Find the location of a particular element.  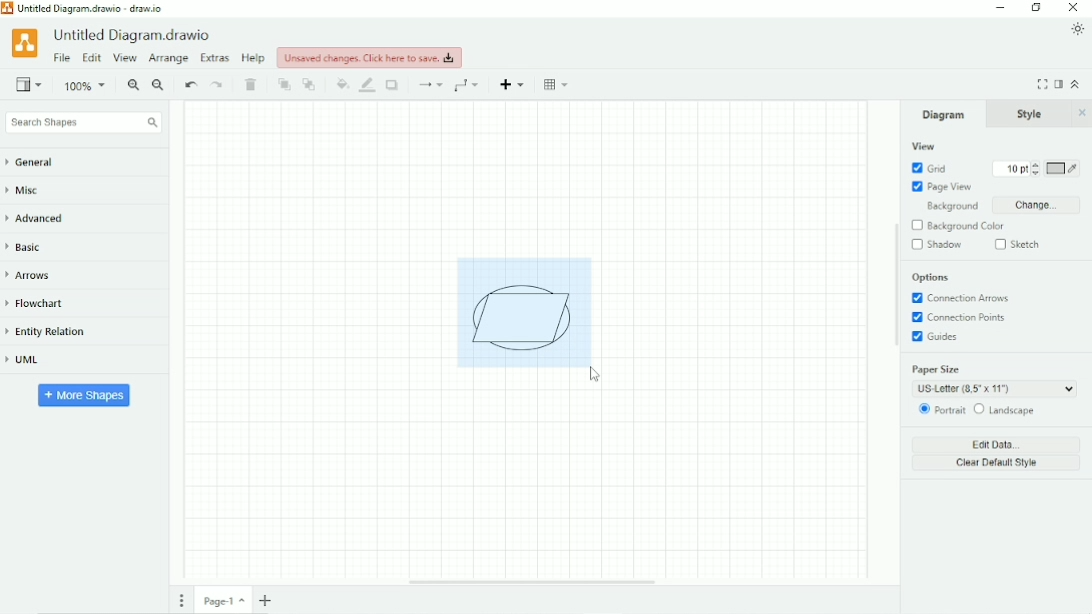

General is located at coordinates (40, 163).